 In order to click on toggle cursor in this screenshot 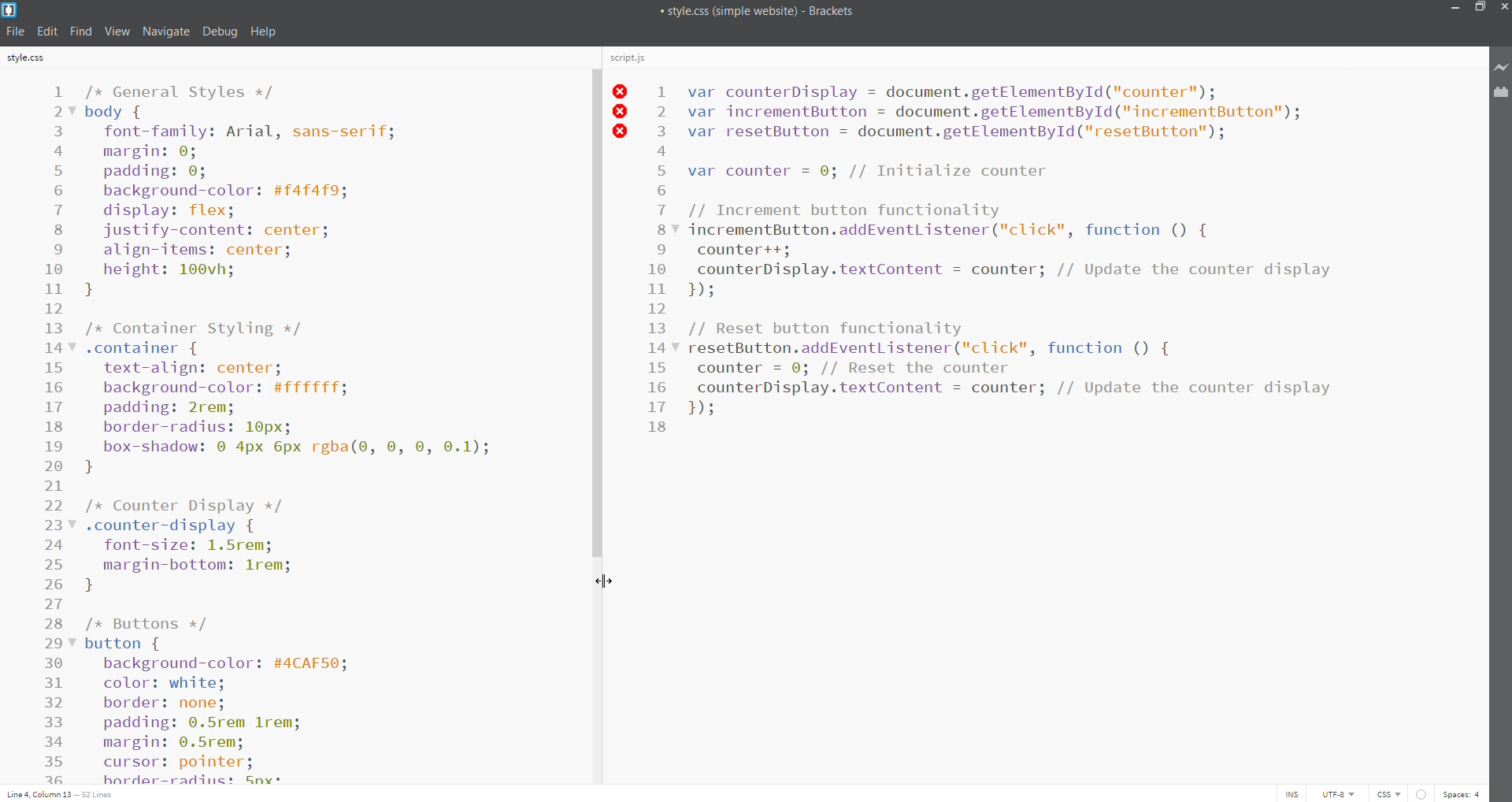, I will do `click(1288, 793)`.